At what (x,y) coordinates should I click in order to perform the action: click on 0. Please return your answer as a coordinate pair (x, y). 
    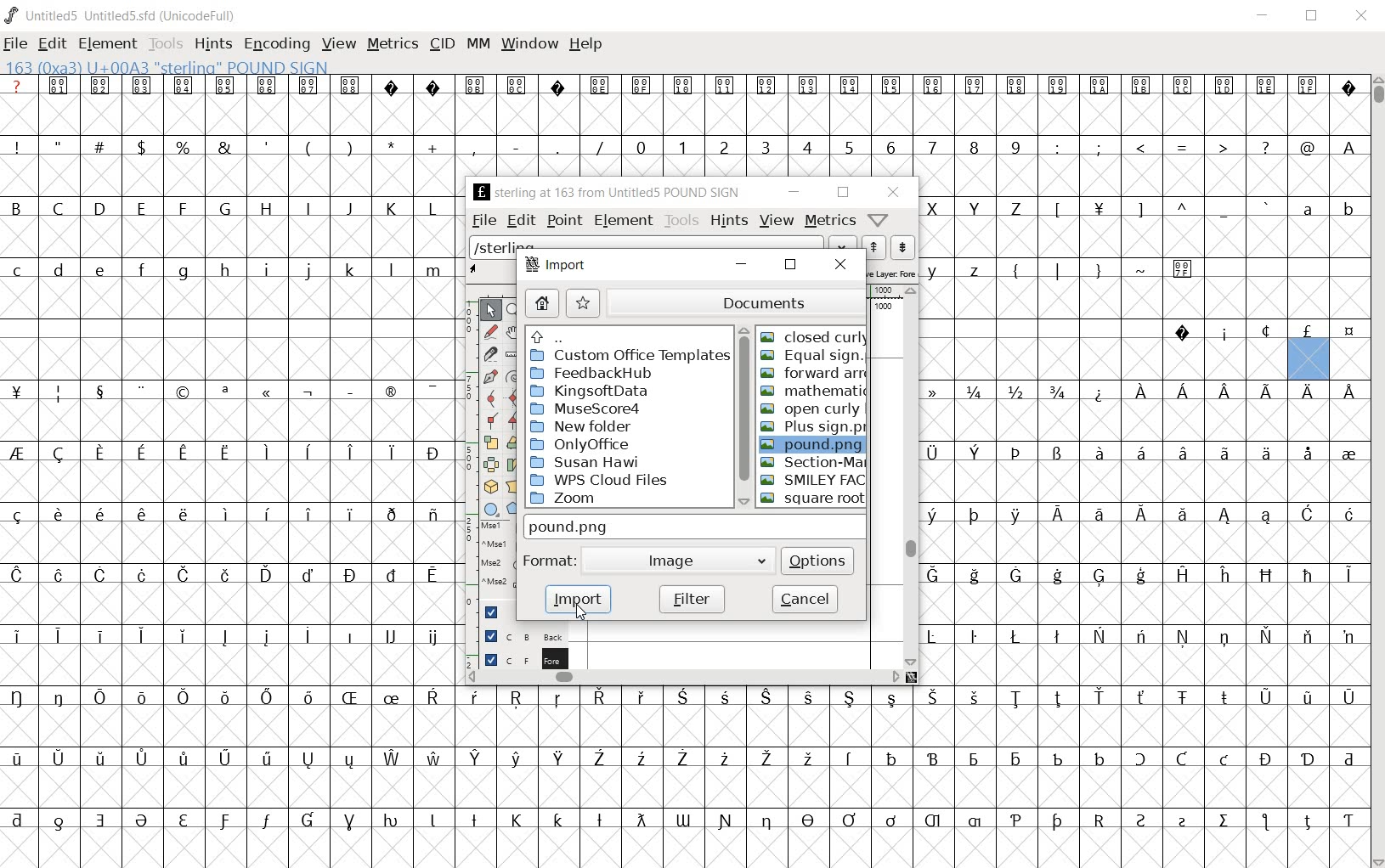
    Looking at the image, I should click on (639, 146).